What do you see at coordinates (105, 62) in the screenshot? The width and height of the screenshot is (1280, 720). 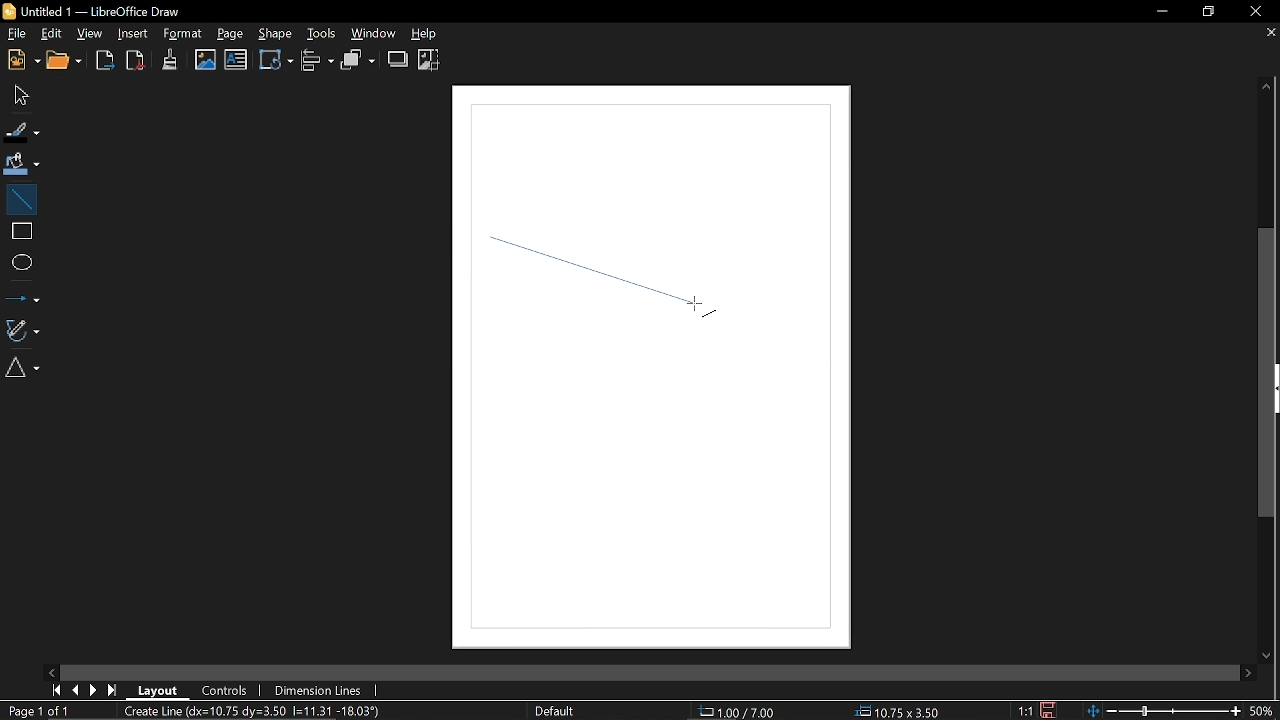 I see `Export` at bounding box center [105, 62].